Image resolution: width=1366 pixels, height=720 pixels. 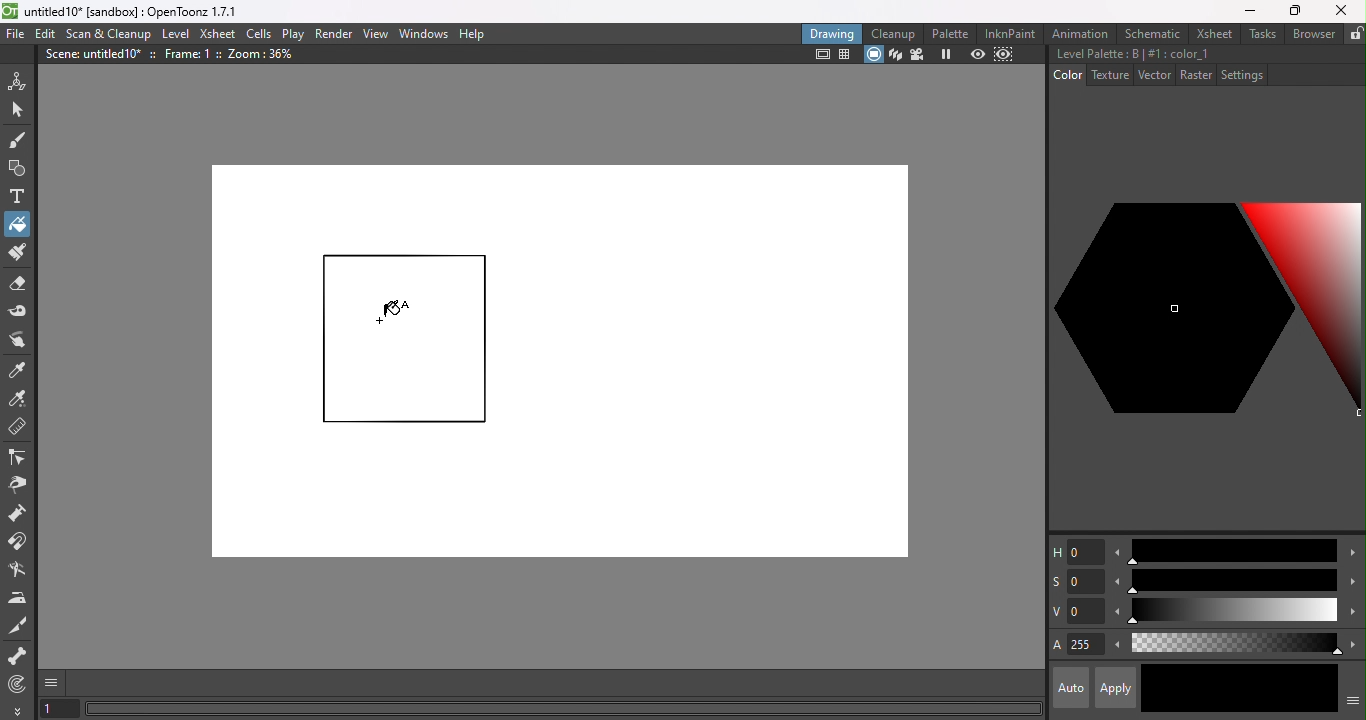 What do you see at coordinates (1076, 551) in the screenshot?
I see `H` at bounding box center [1076, 551].